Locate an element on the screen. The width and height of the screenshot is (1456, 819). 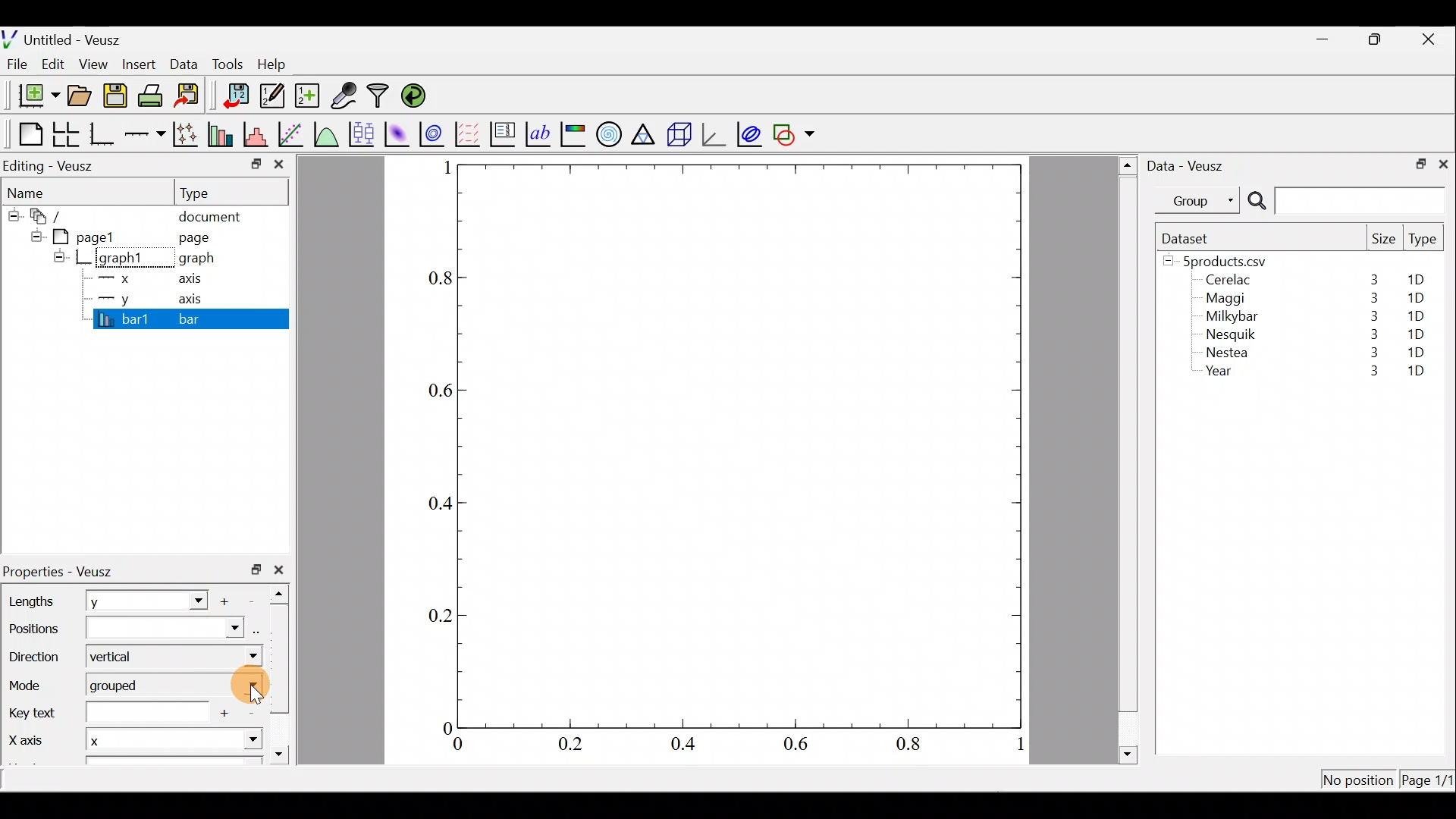
Positions is located at coordinates (124, 631).